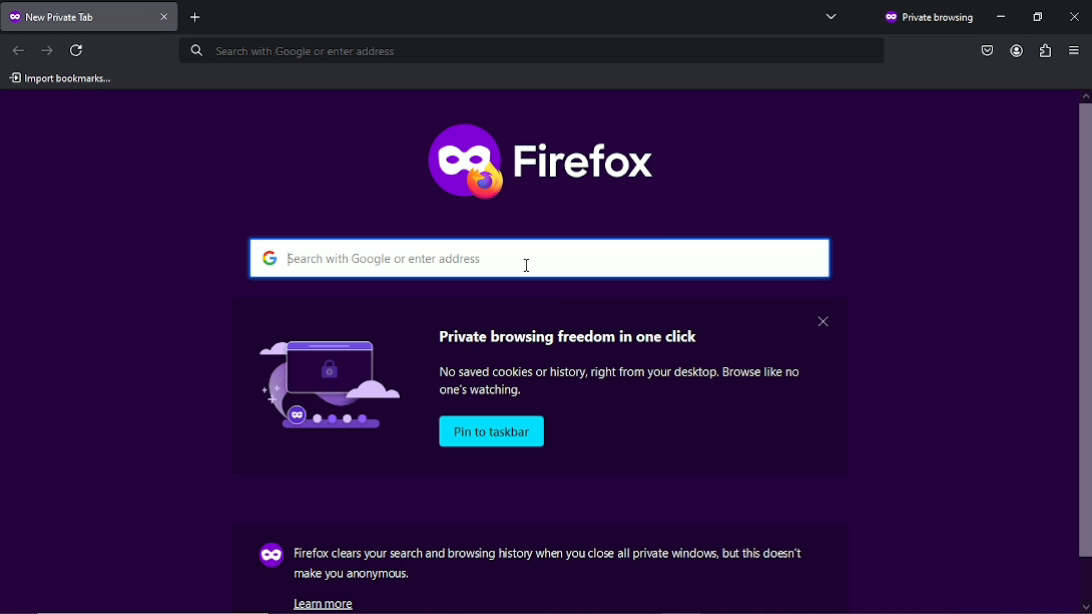 This screenshot has height=614, width=1092. Describe the element at coordinates (329, 603) in the screenshot. I see `Learn more` at that location.